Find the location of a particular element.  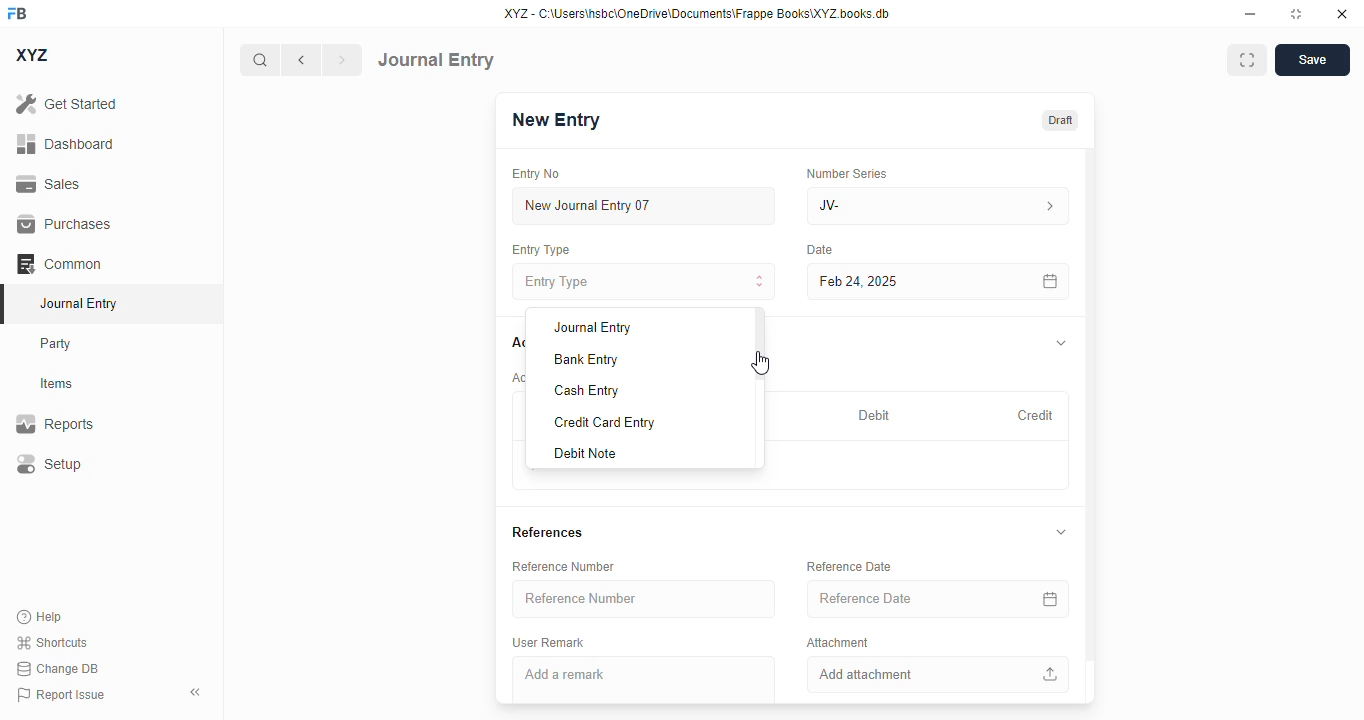

journal entry is located at coordinates (592, 328).